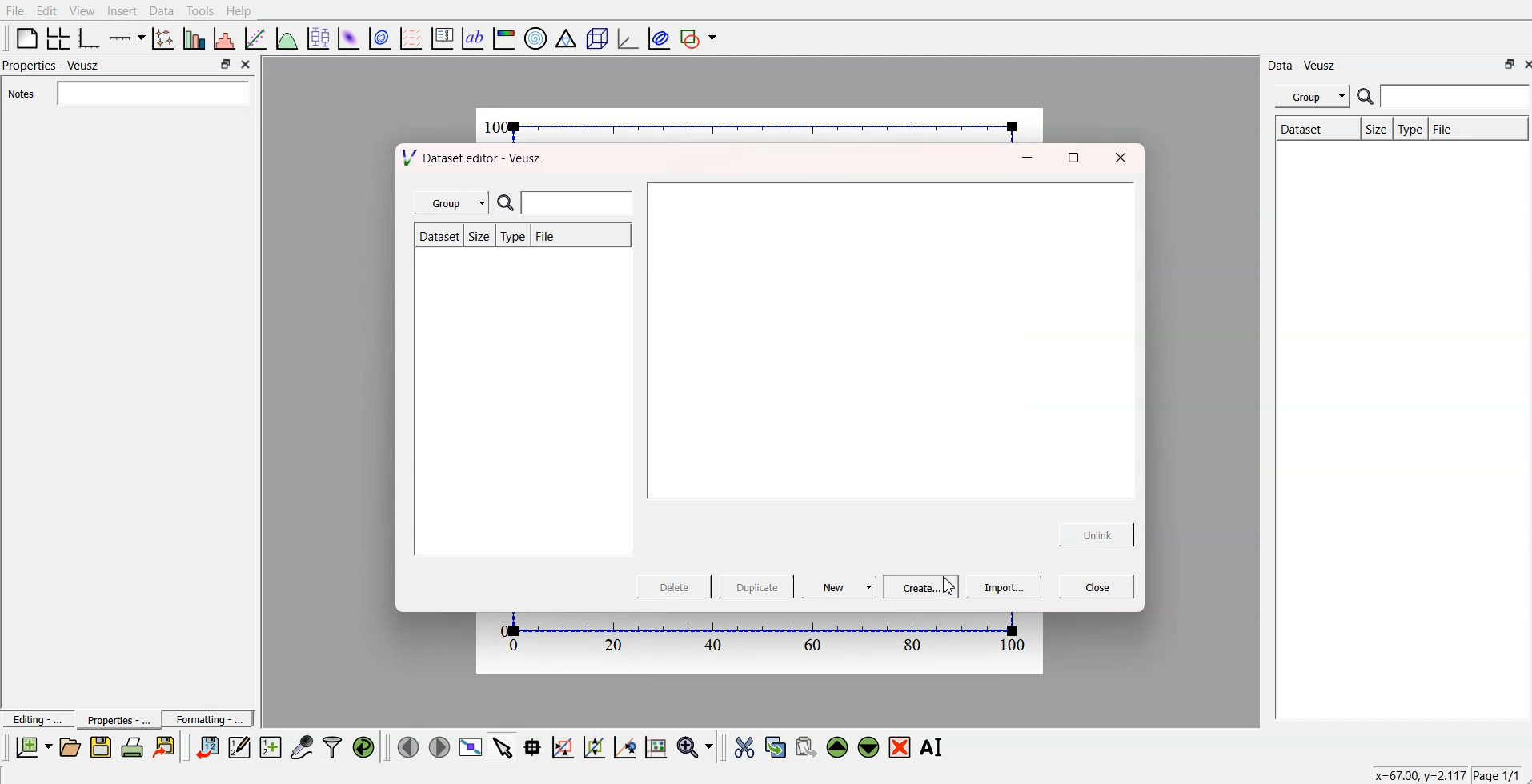  What do you see at coordinates (34, 747) in the screenshot?
I see `New document` at bounding box center [34, 747].